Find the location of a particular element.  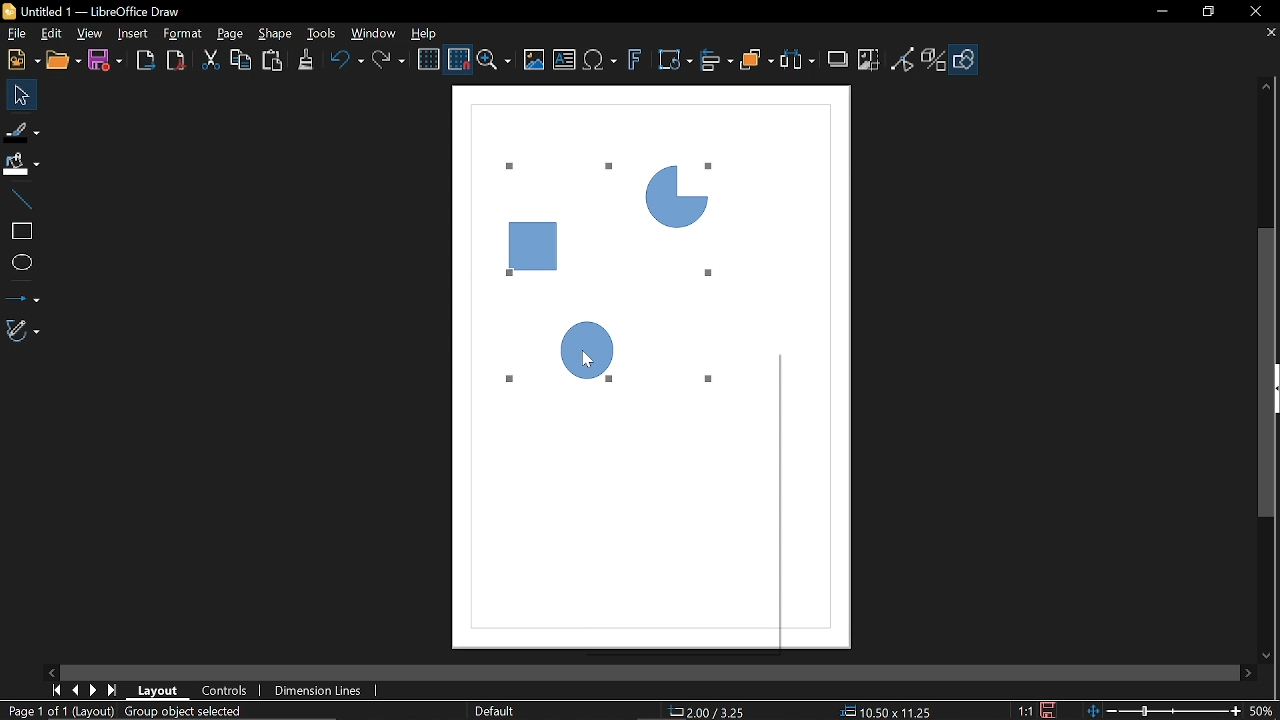

Toggle point edit mode is located at coordinates (901, 60).